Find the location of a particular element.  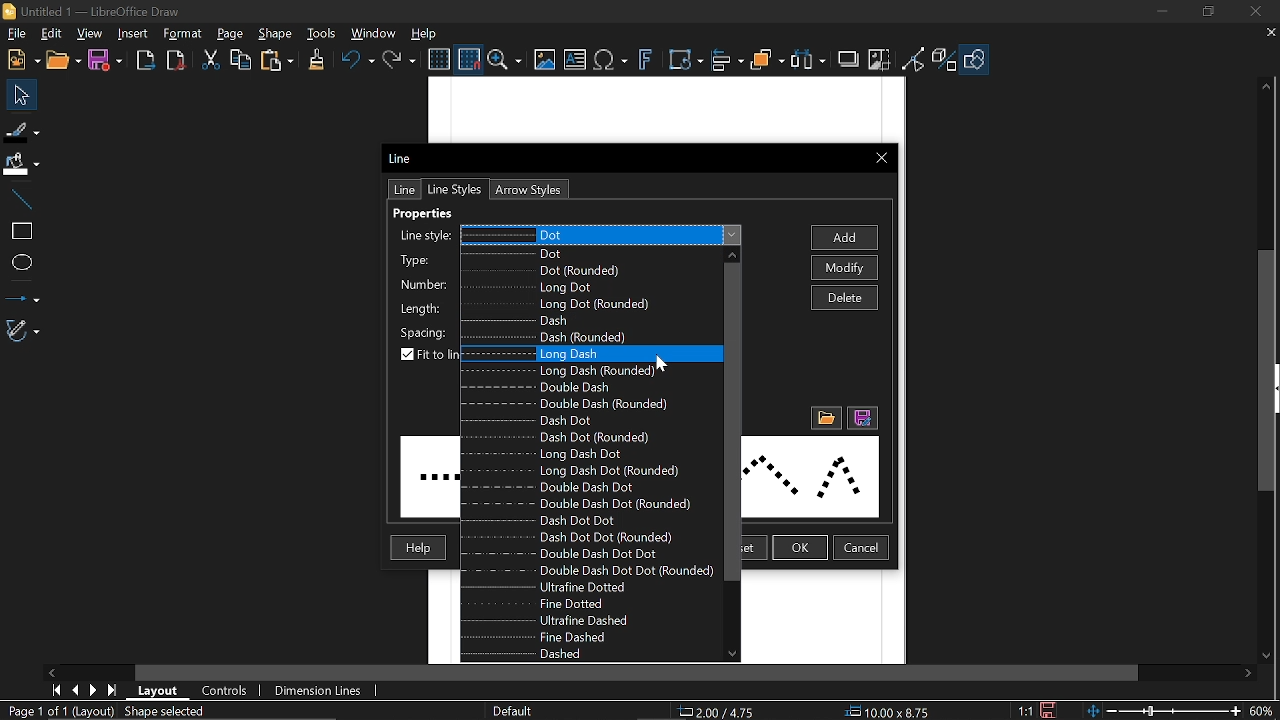

Move is located at coordinates (17, 94).